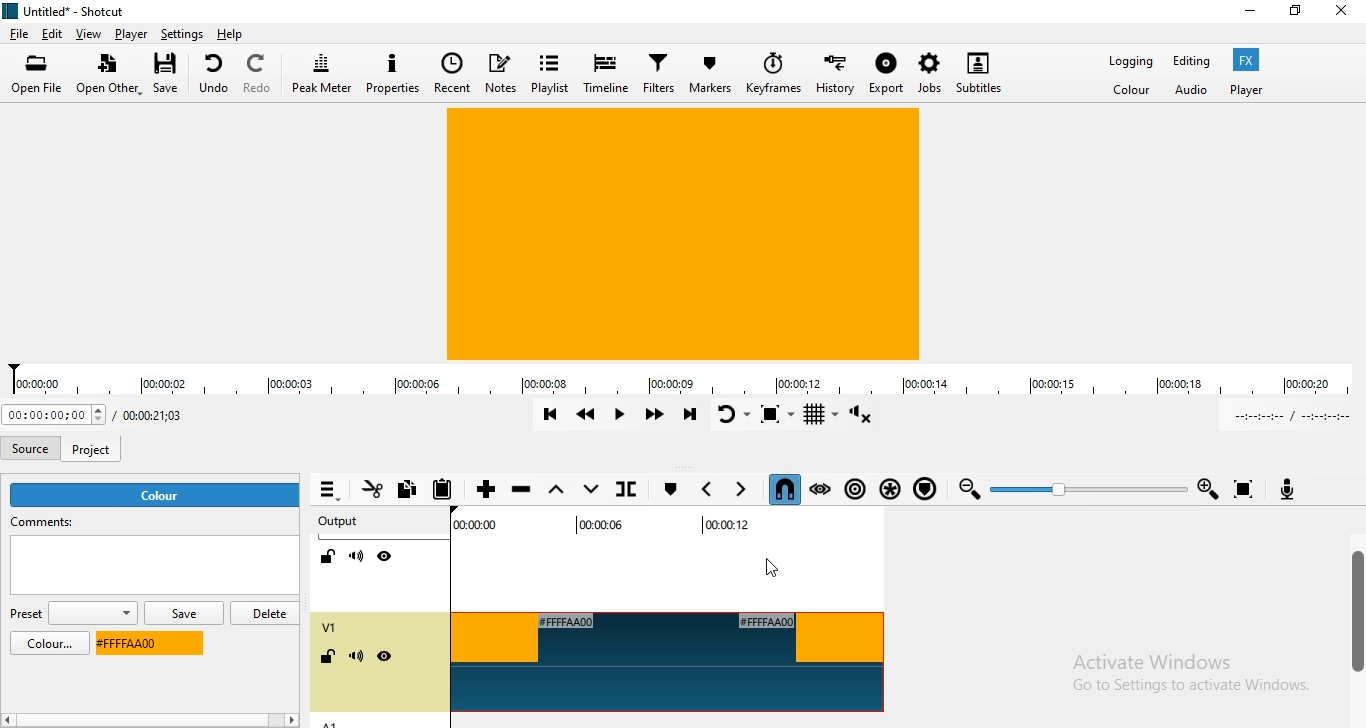  What do you see at coordinates (1287, 416) in the screenshot?
I see `In point` at bounding box center [1287, 416].